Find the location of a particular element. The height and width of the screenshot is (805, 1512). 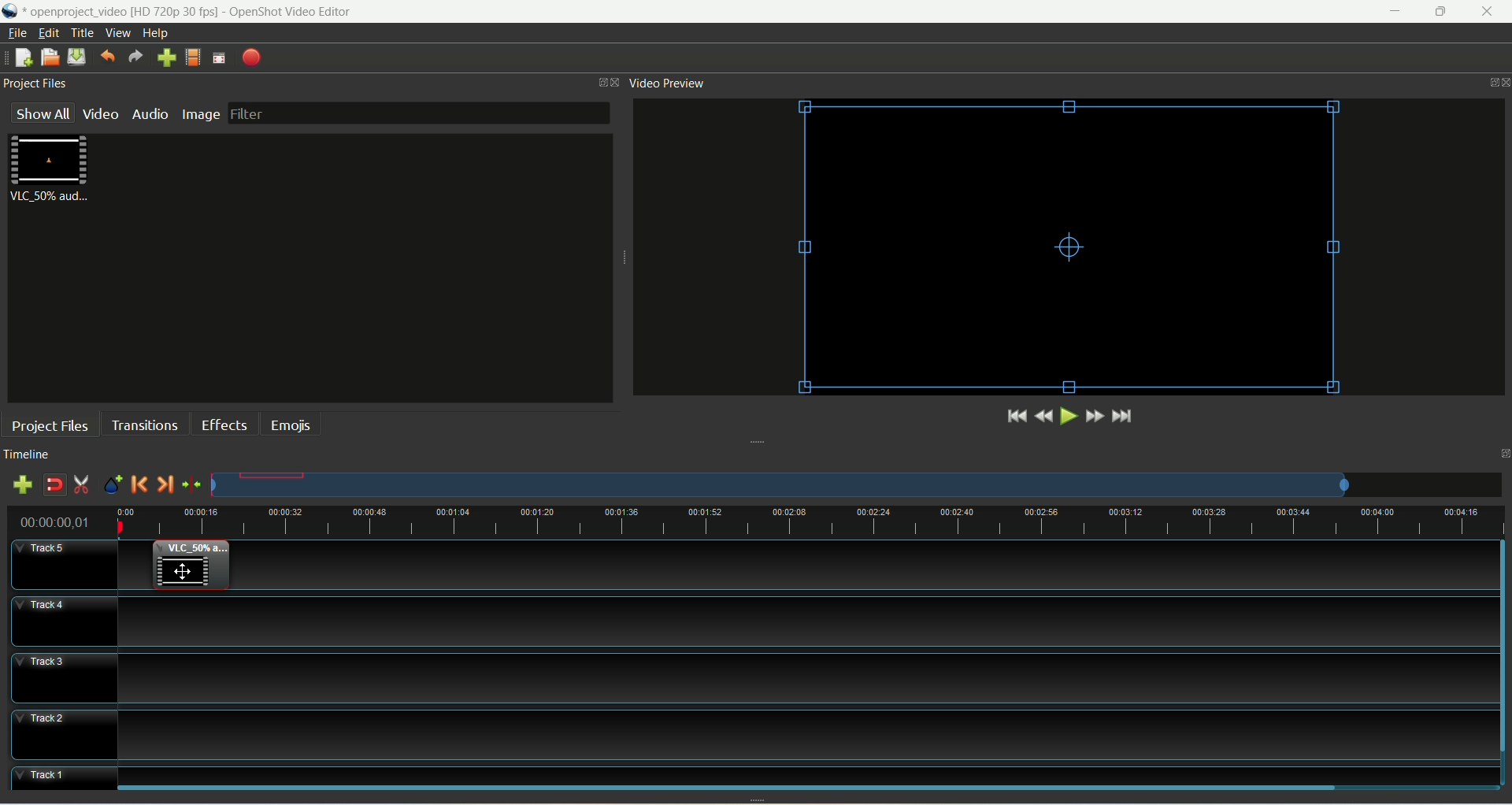

centre the timeline on playhead is located at coordinates (191, 484).